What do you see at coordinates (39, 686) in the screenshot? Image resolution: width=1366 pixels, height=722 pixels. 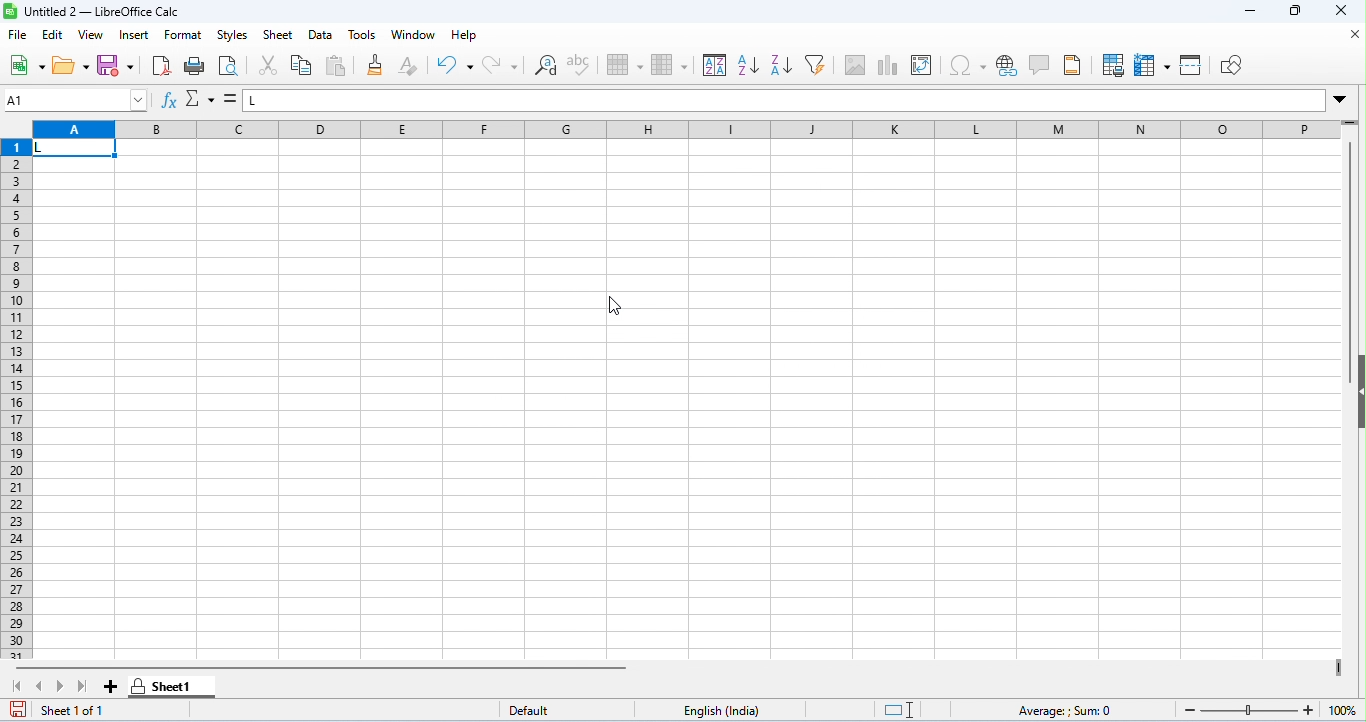 I see `previous` at bounding box center [39, 686].